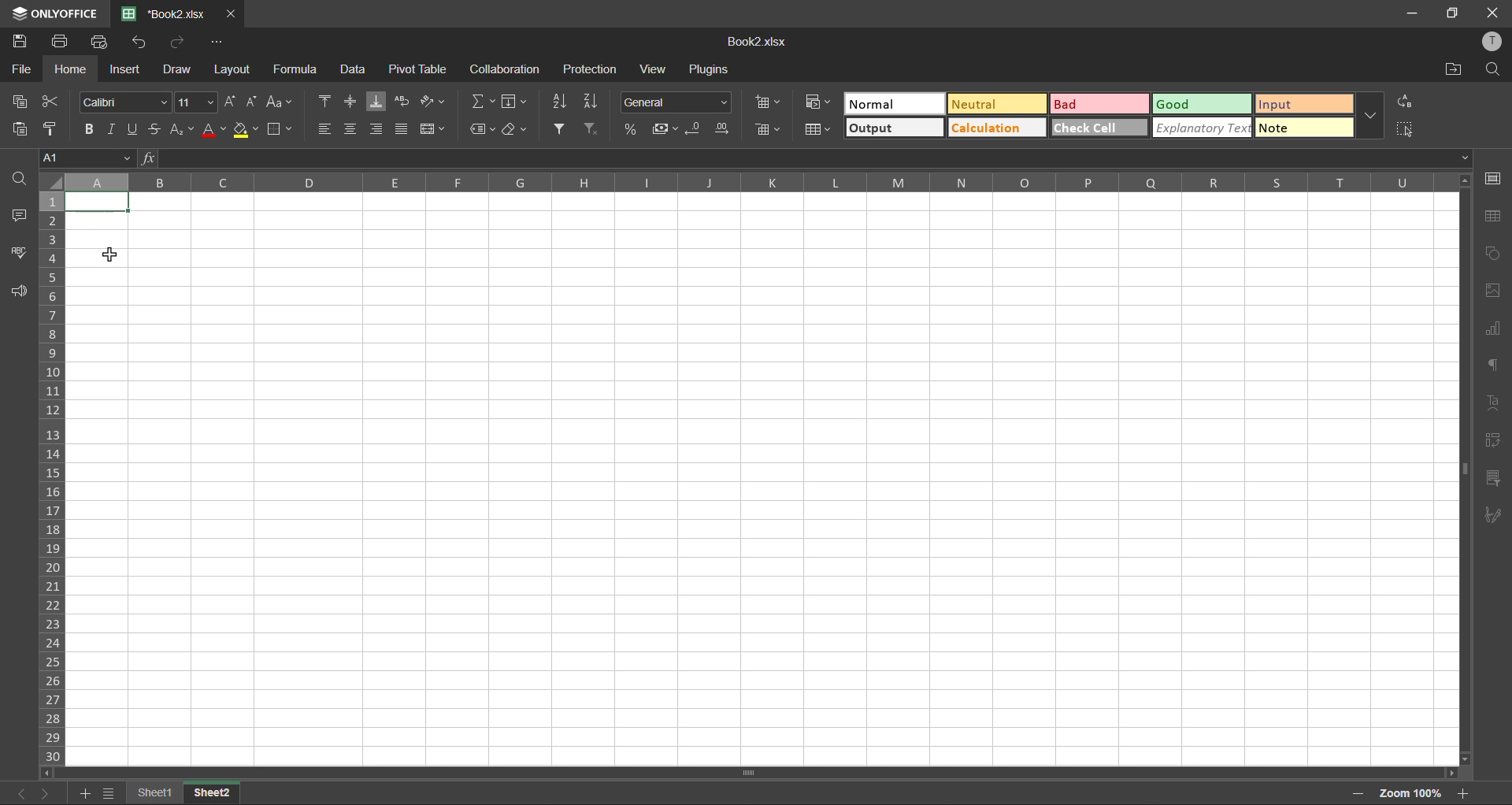 This screenshot has width=1512, height=805. I want to click on align middle, so click(353, 102).